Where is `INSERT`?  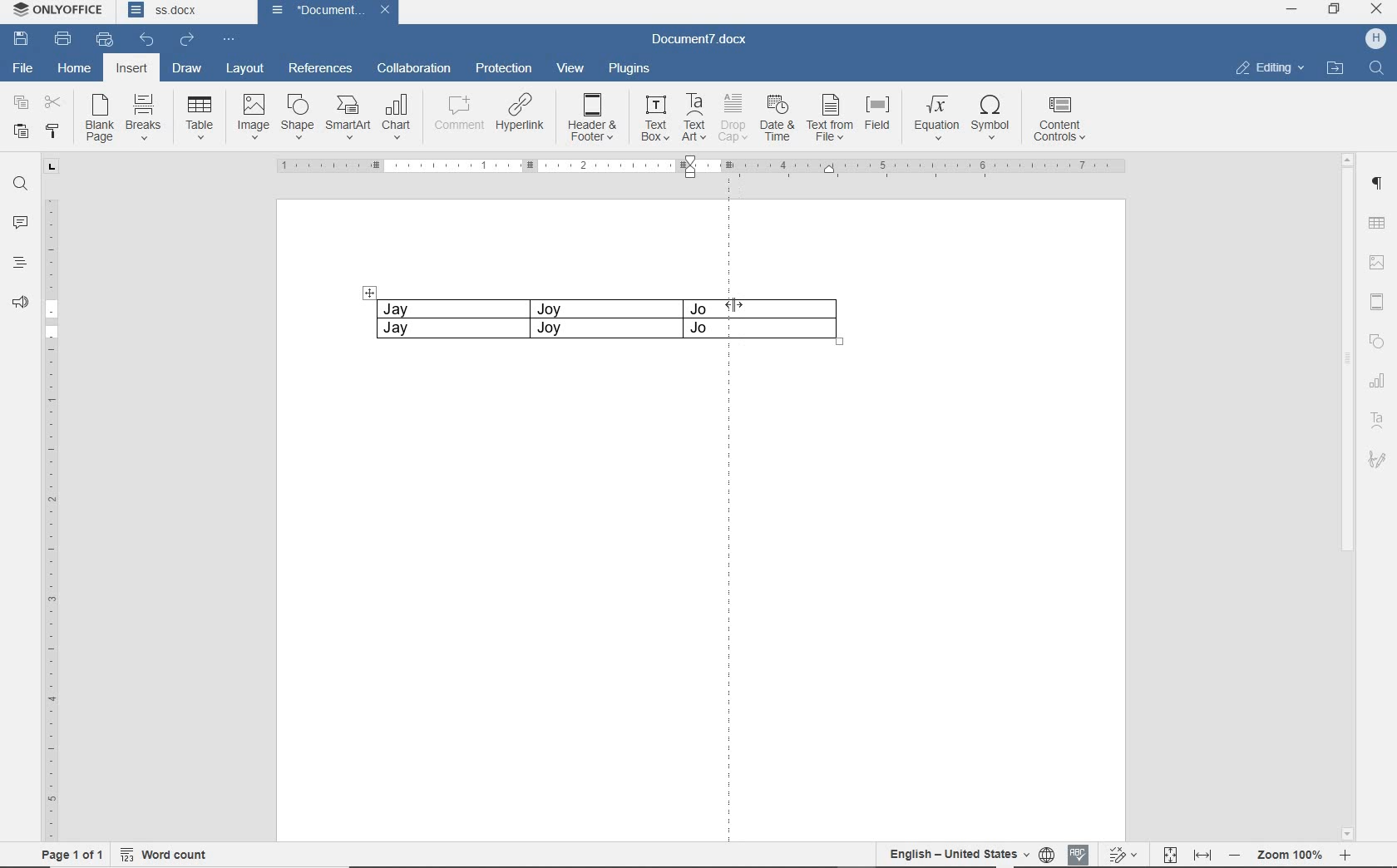
INSERT is located at coordinates (133, 70).